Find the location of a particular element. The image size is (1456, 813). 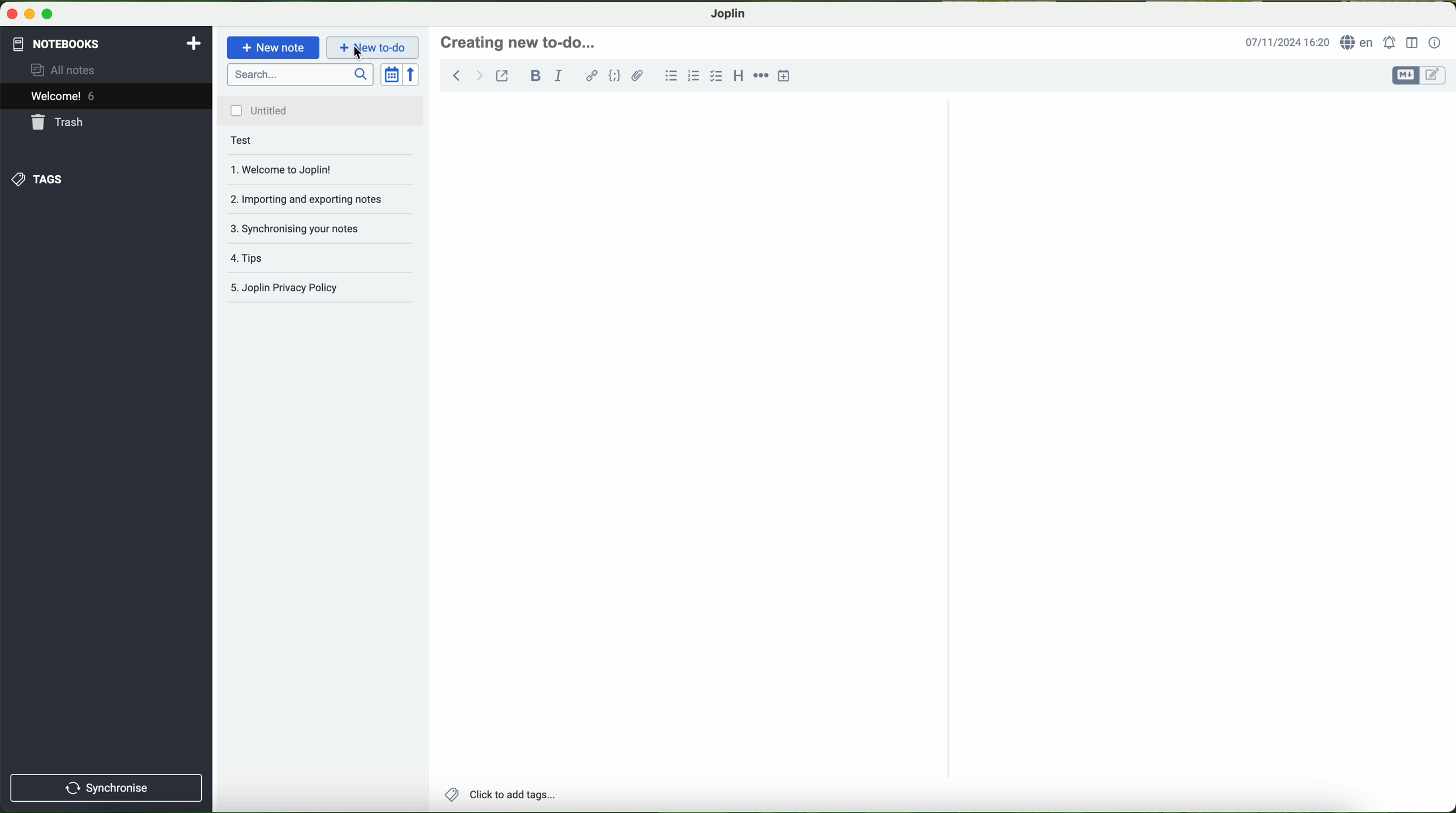

toggle external editing is located at coordinates (502, 75).